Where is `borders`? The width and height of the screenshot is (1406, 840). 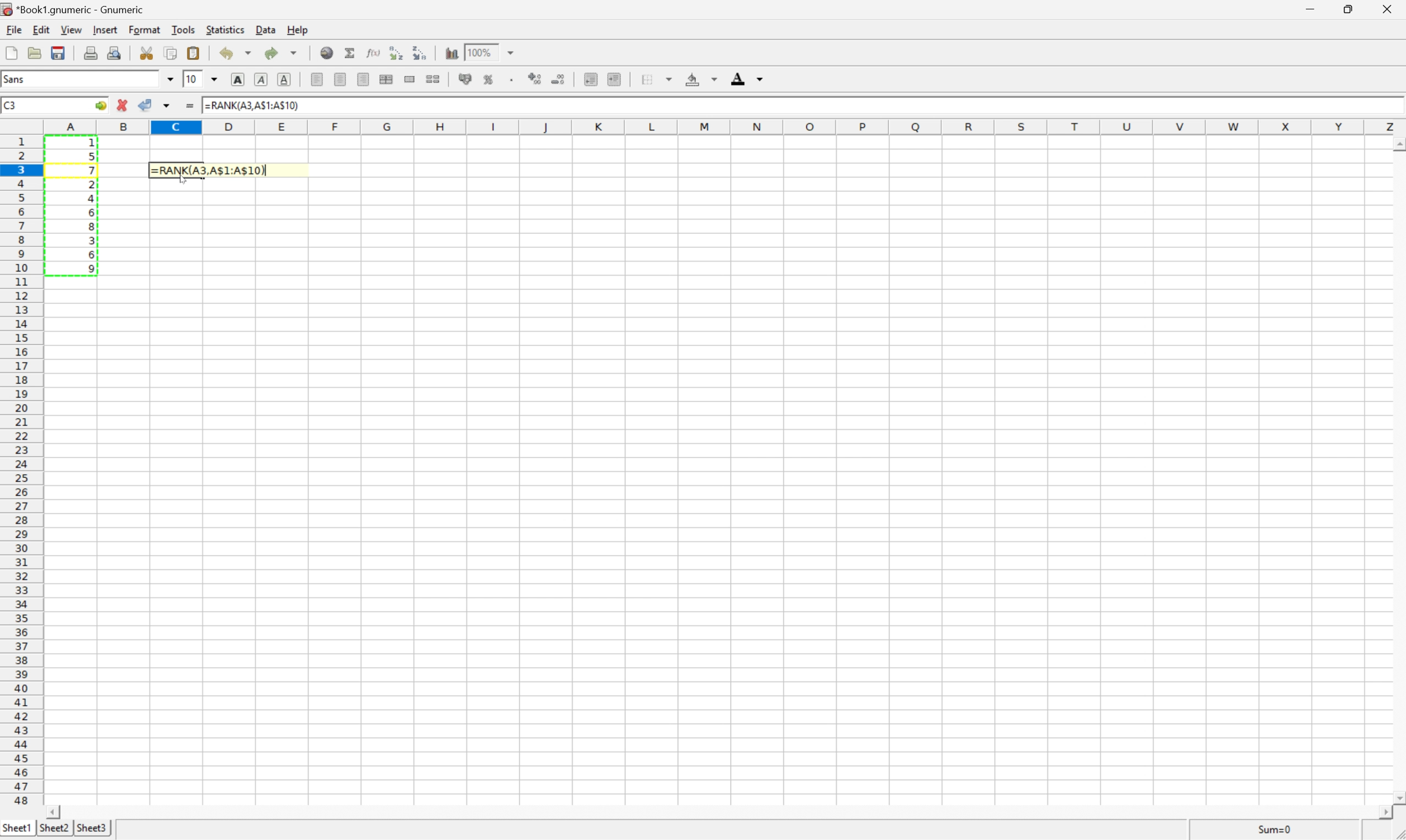 borders is located at coordinates (656, 79).